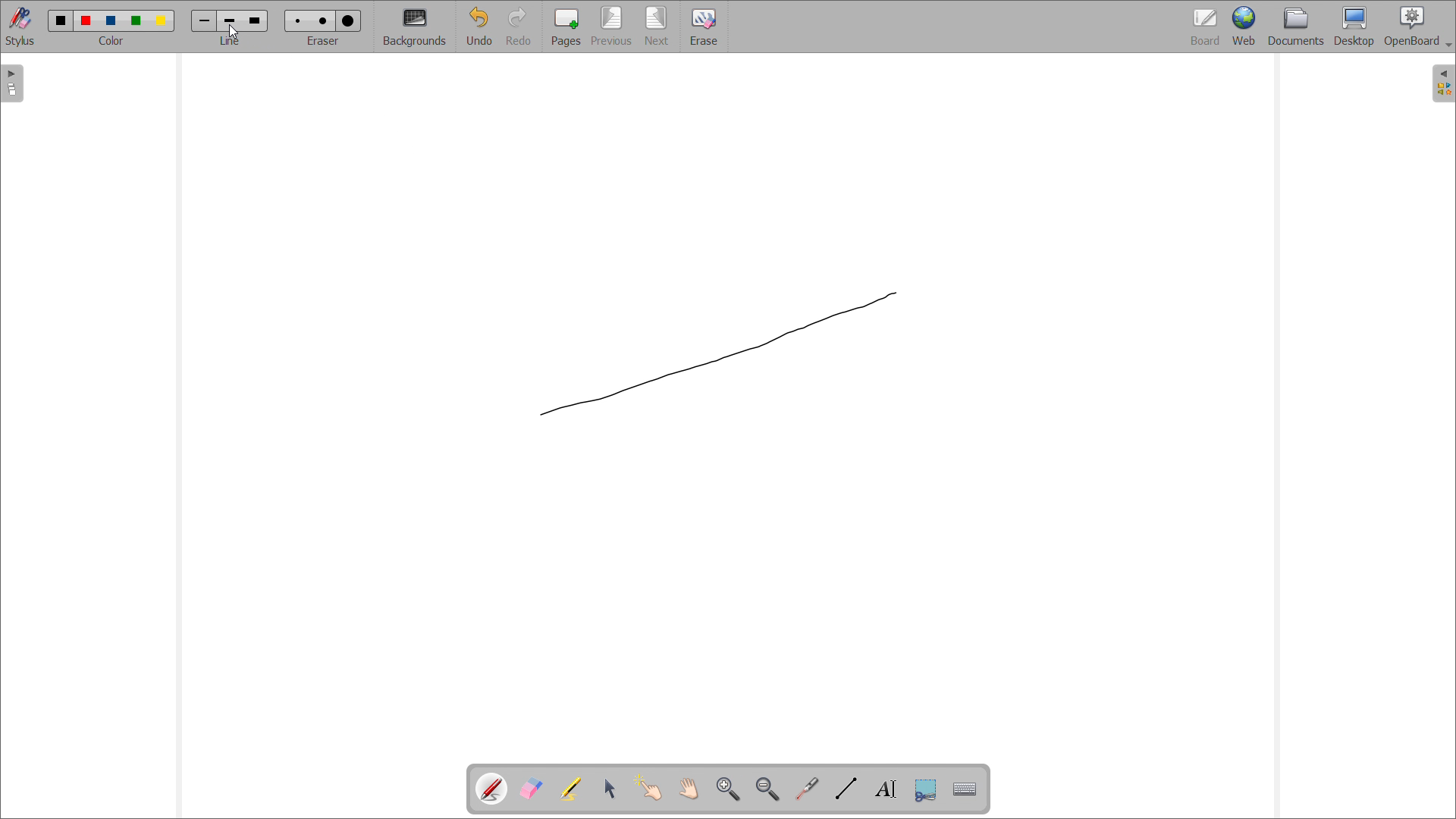 This screenshot has height=819, width=1456. Describe the element at coordinates (532, 789) in the screenshot. I see `erase annotations` at that location.